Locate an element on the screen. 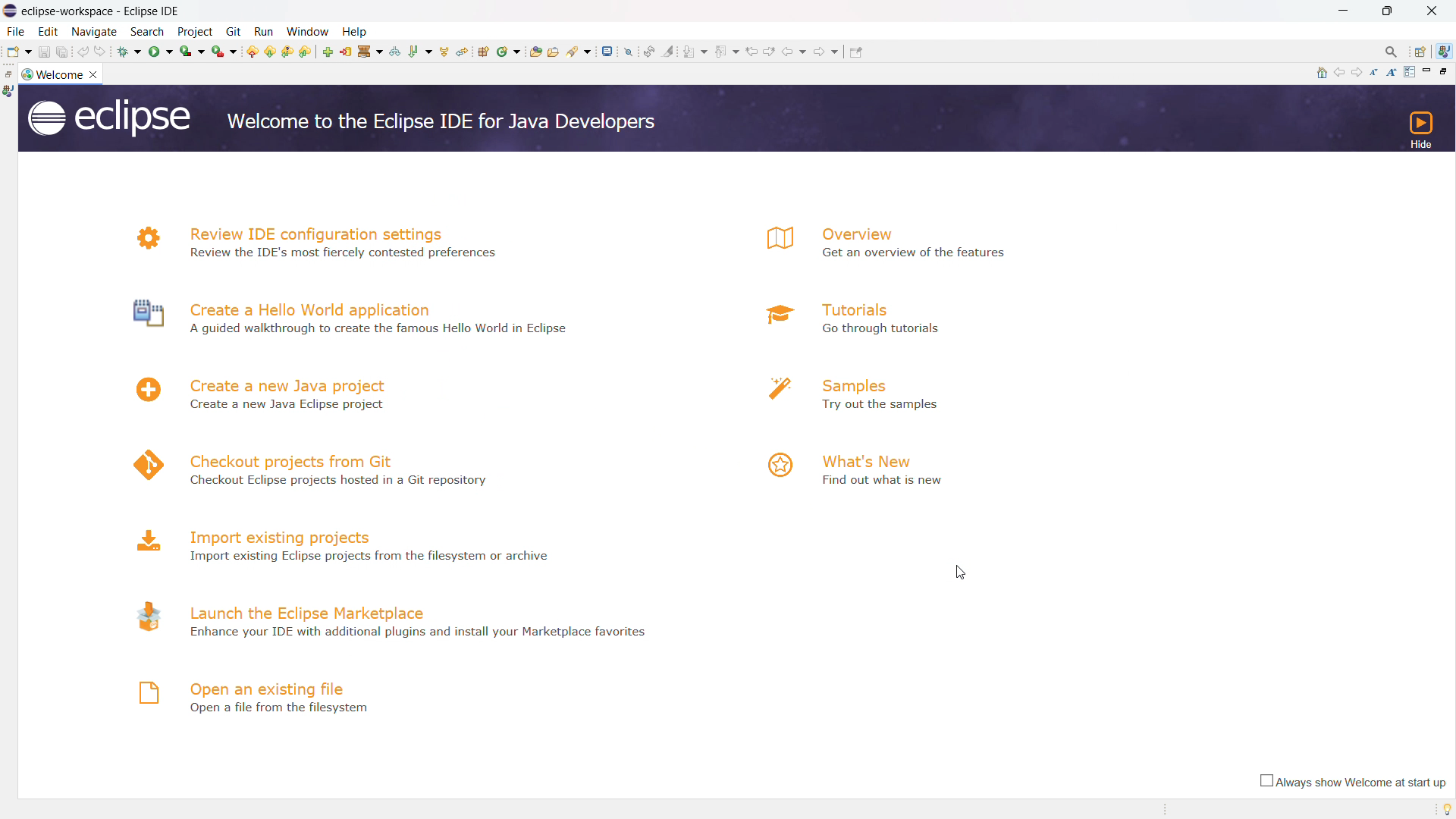 The width and height of the screenshot is (1456, 819). java is located at coordinates (9, 92).